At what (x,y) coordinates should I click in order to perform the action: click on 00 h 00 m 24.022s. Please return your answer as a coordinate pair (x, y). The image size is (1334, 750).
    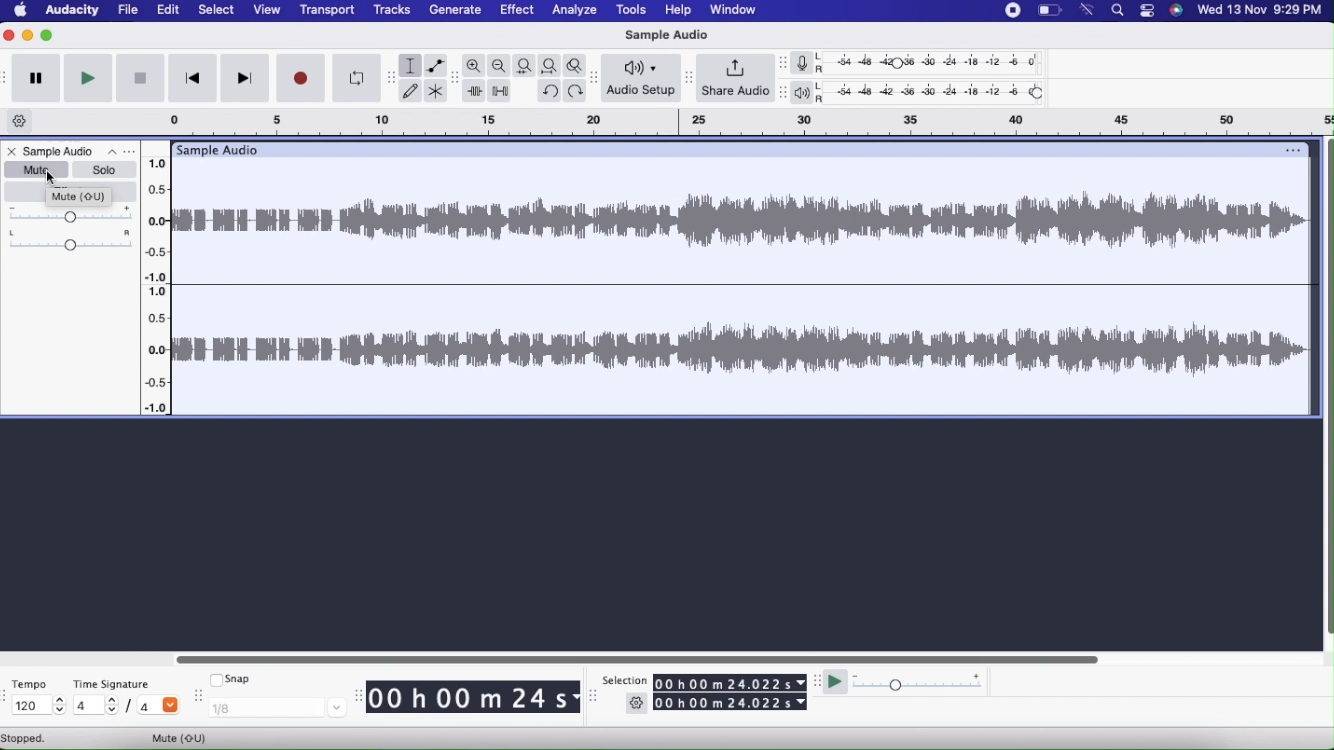
    Looking at the image, I should click on (730, 704).